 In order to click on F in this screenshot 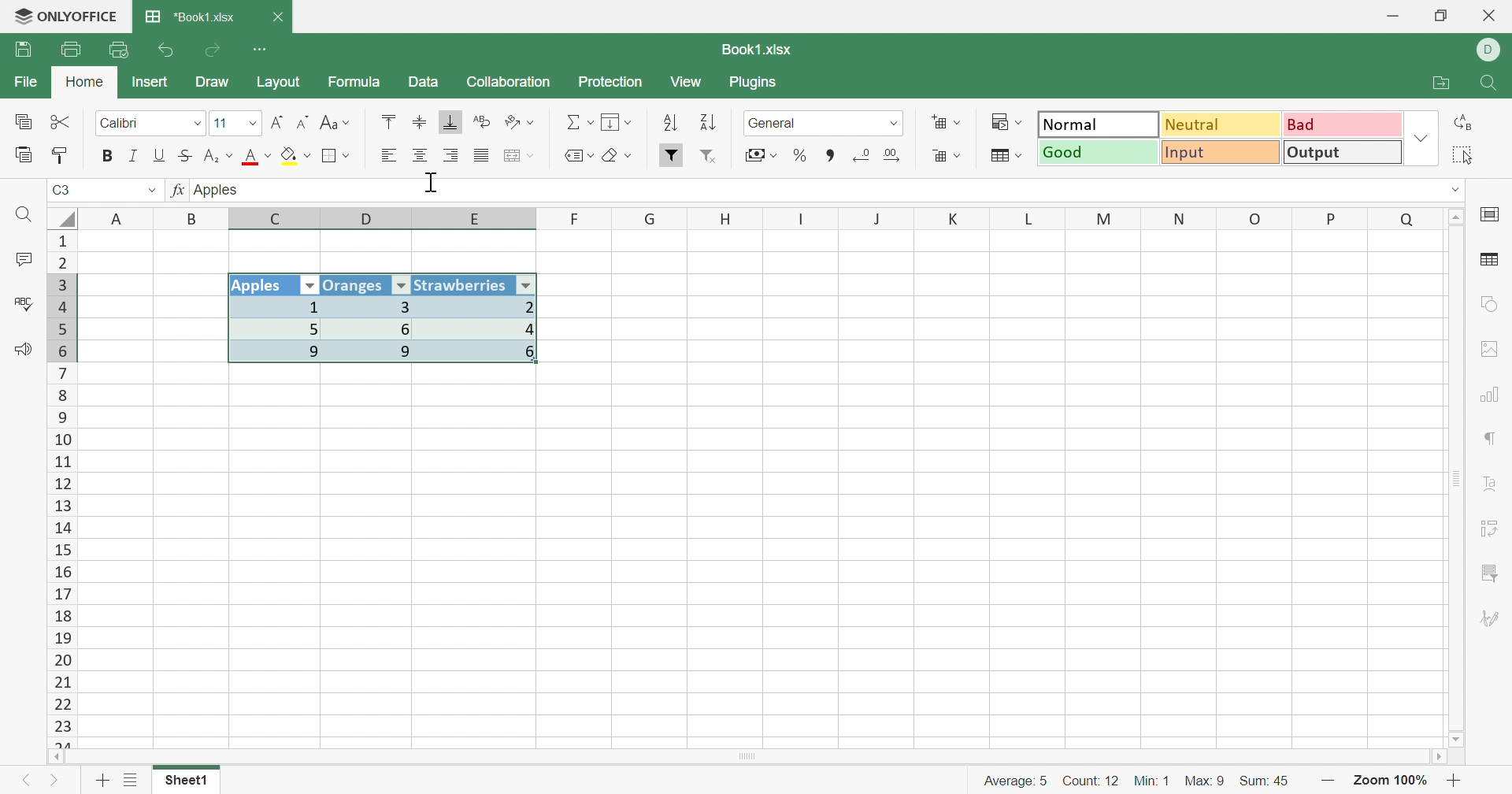, I will do `click(576, 218)`.